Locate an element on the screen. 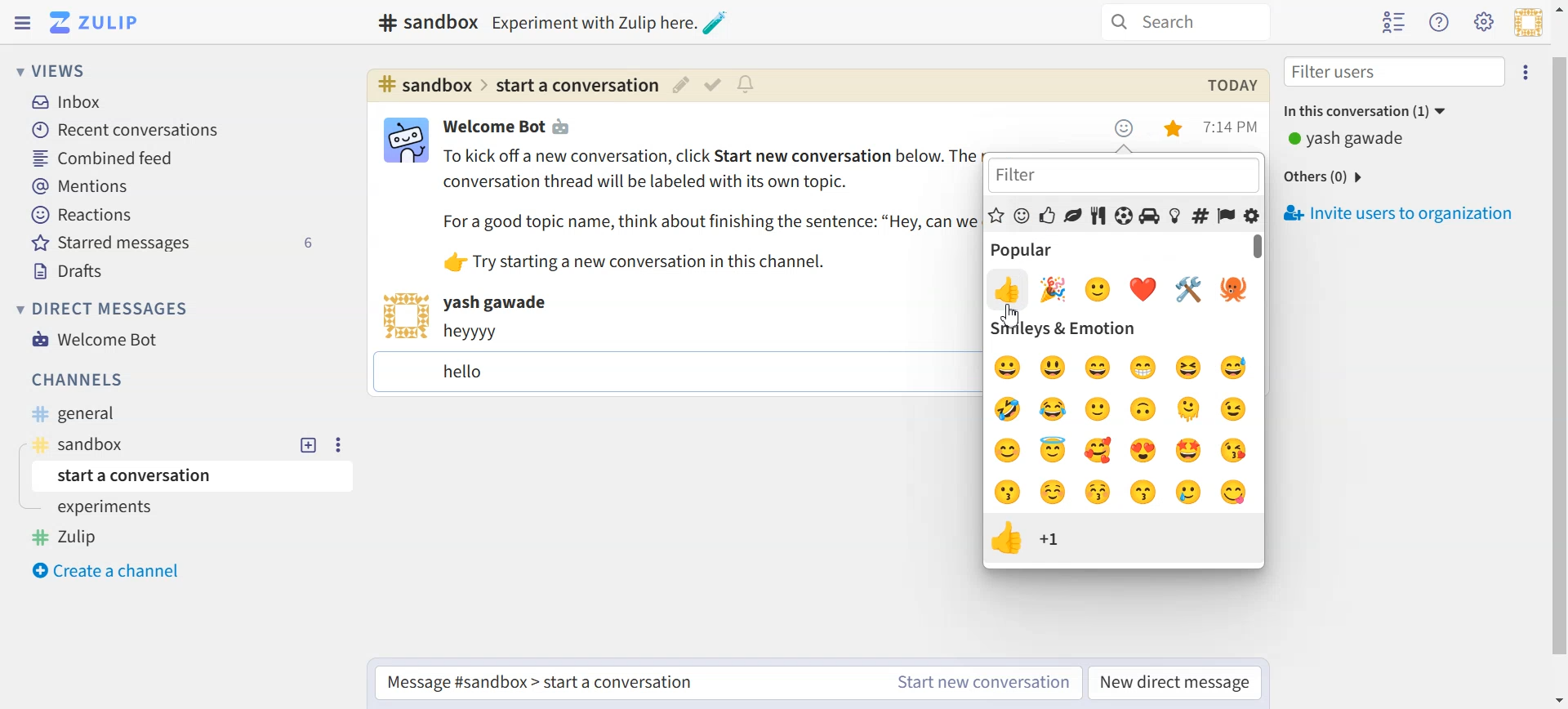 The image size is (1568, 709). smiley is located at coordinates (1057, 368).